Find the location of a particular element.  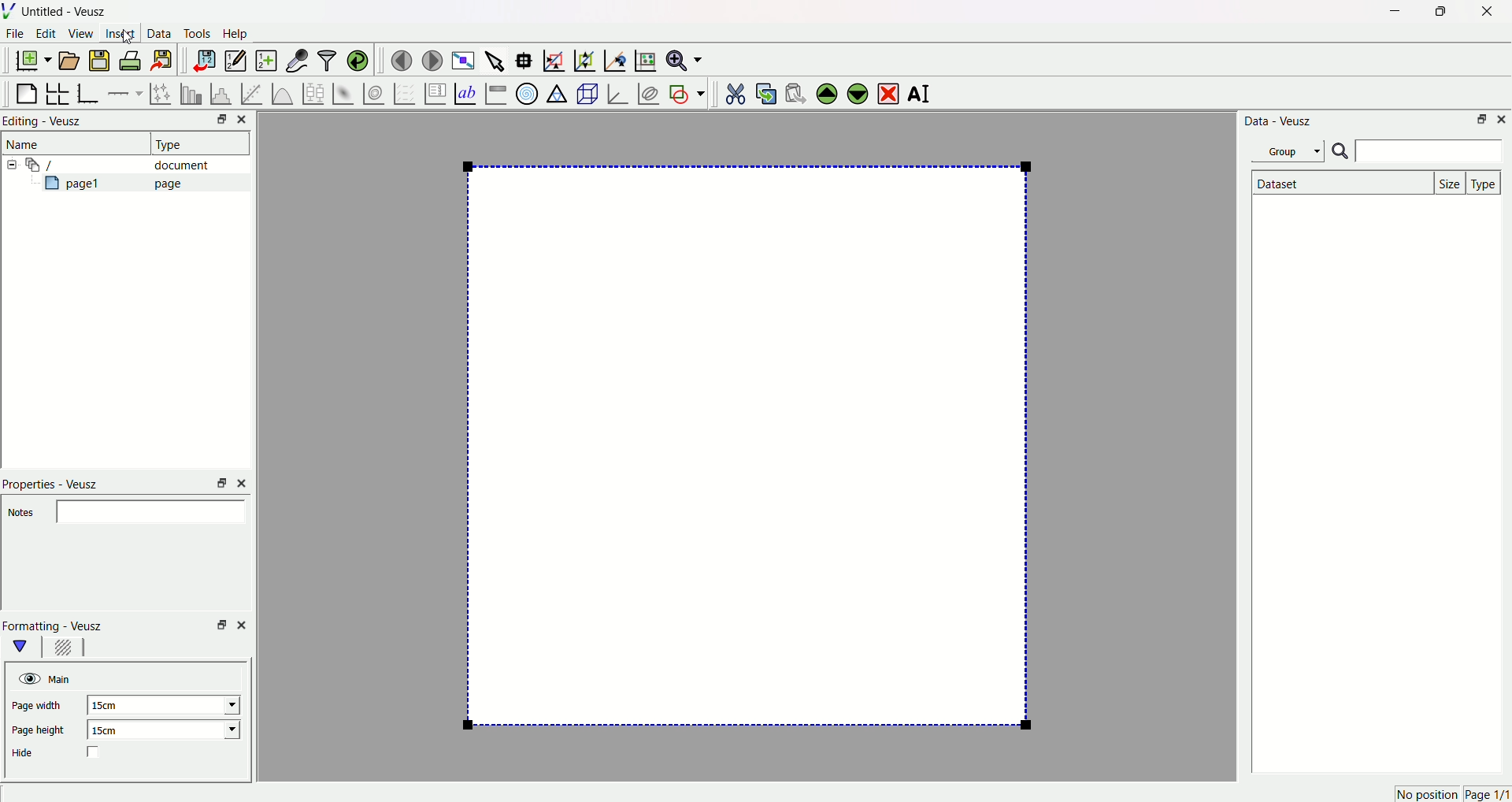

create new datasets is located at coordinates (265, 61).